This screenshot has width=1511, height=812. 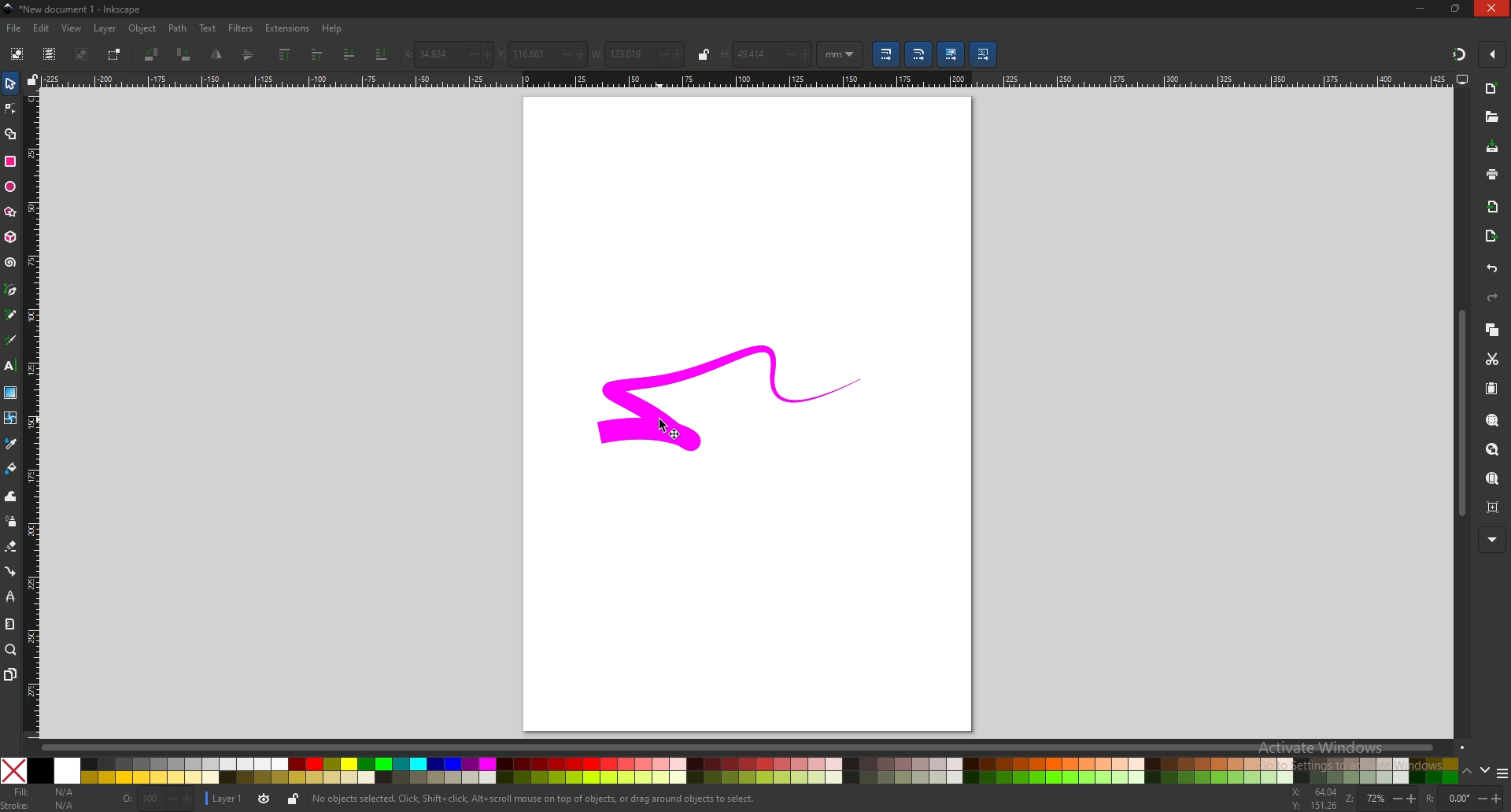 I want to click on 3d box, so click(x=11, y=238).